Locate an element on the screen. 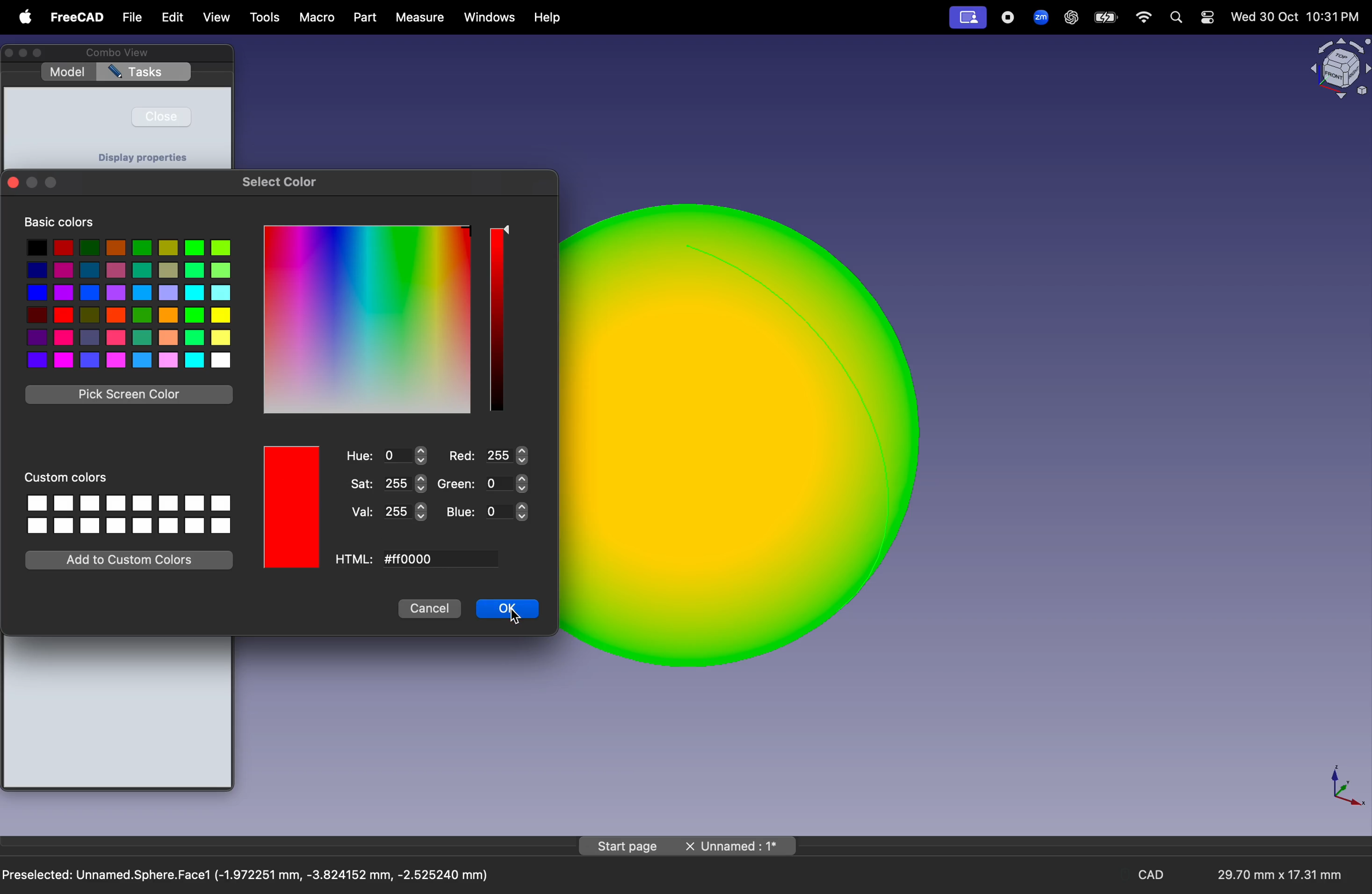 The image size is (1372, 894). color code is located at coordinates (437, 560).